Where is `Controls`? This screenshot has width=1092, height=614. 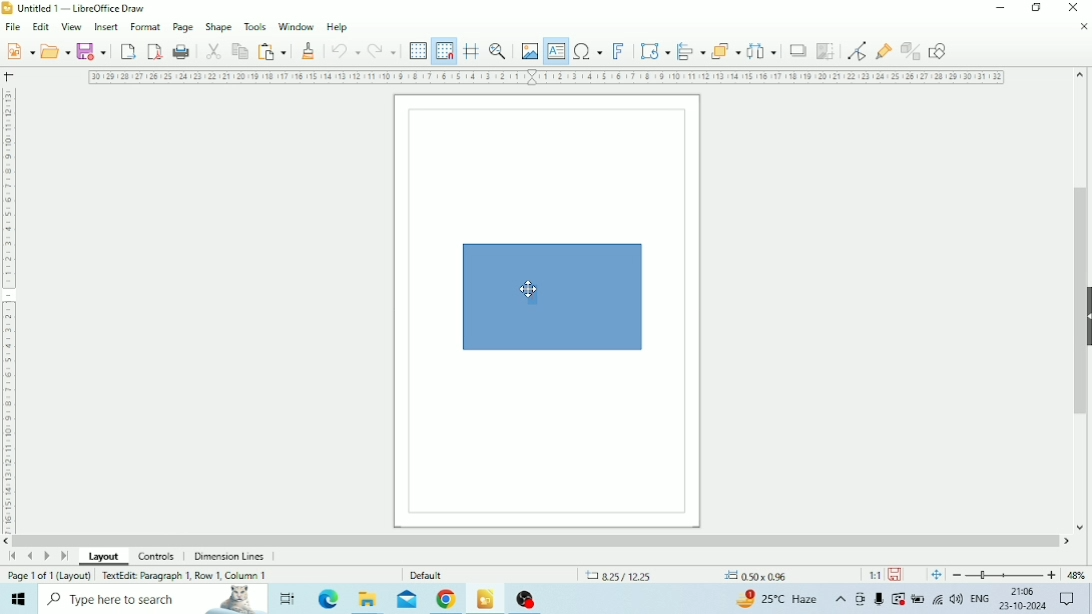
Controls is located at coordinates (160, 557).